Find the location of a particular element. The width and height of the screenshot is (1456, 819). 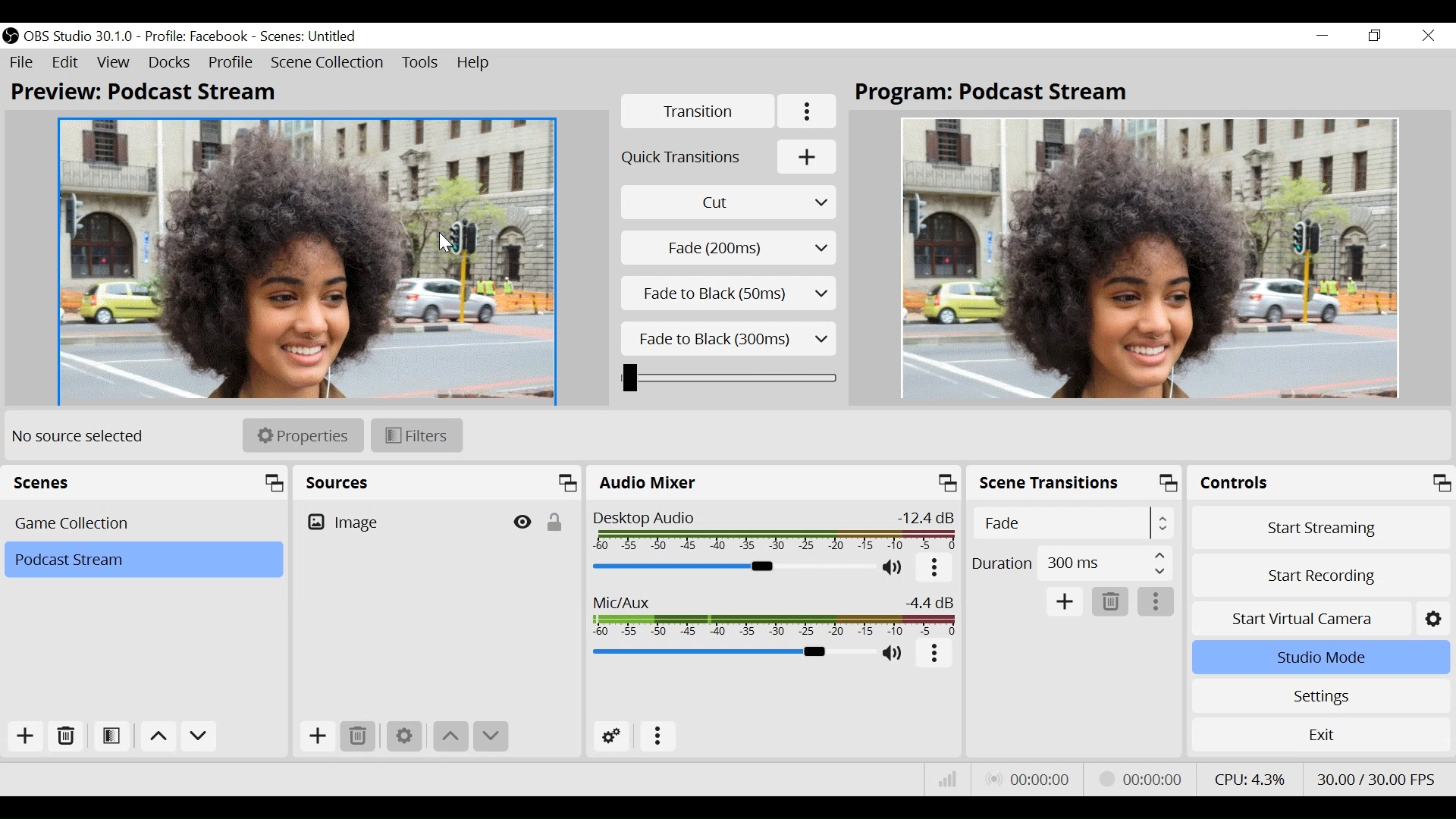

Select Scene Transition is located at coordinates (730, 248).